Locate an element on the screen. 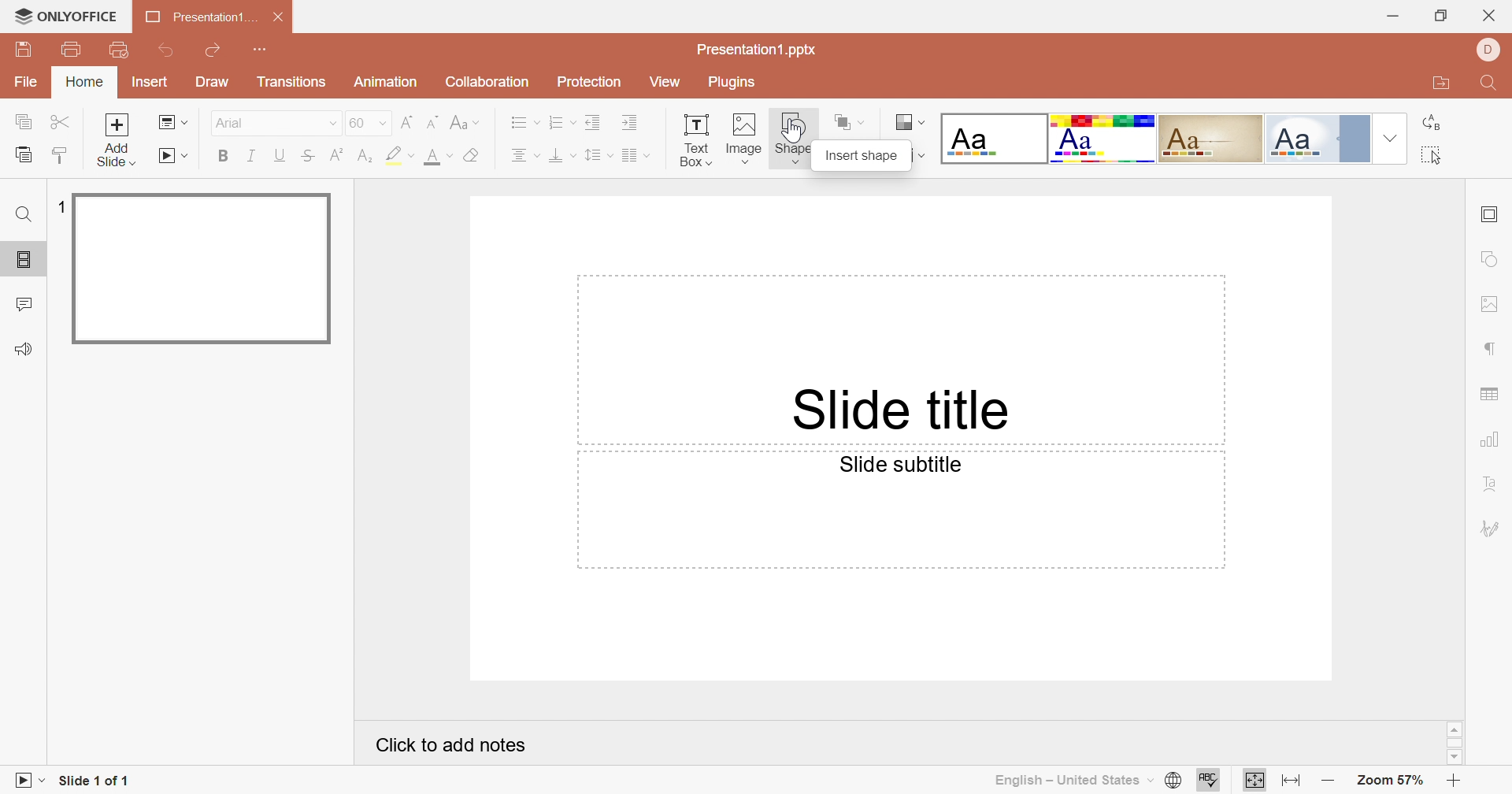  English - United States is located at coordinates (1068, 782).